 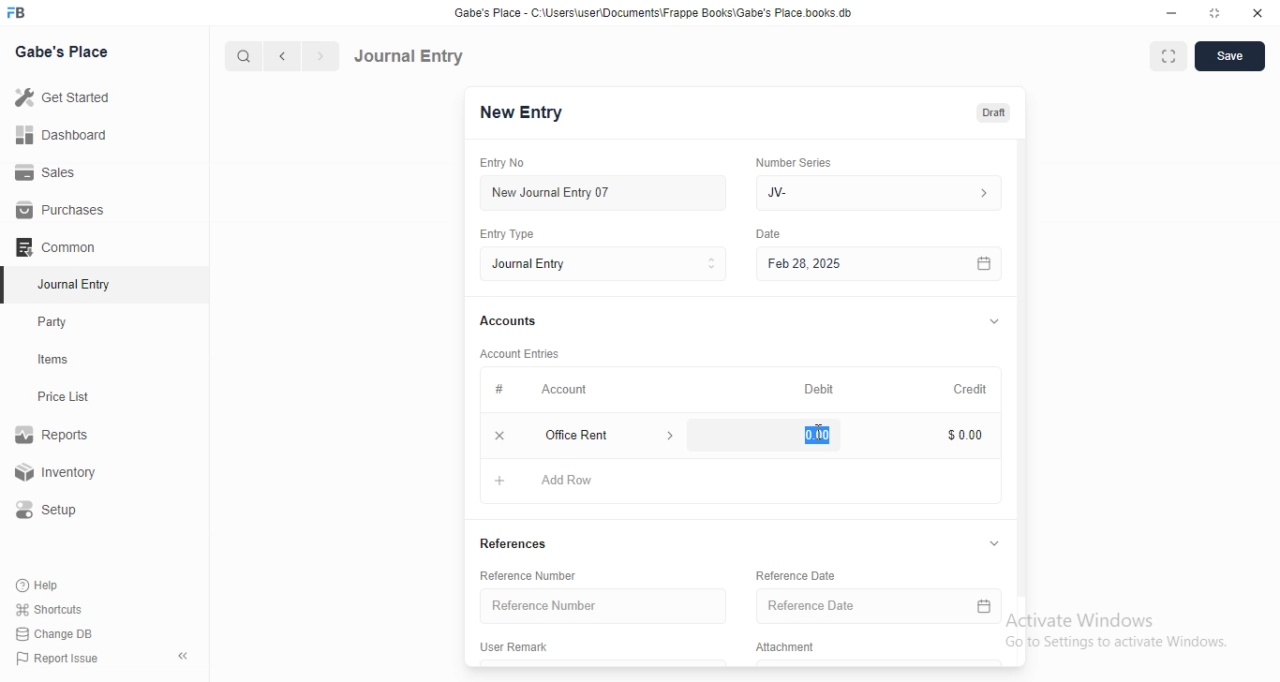 What do you see at coordinates (77, 284) in the screenshot?
I see `‘Journal Entry` at bounding box center [77, 284].